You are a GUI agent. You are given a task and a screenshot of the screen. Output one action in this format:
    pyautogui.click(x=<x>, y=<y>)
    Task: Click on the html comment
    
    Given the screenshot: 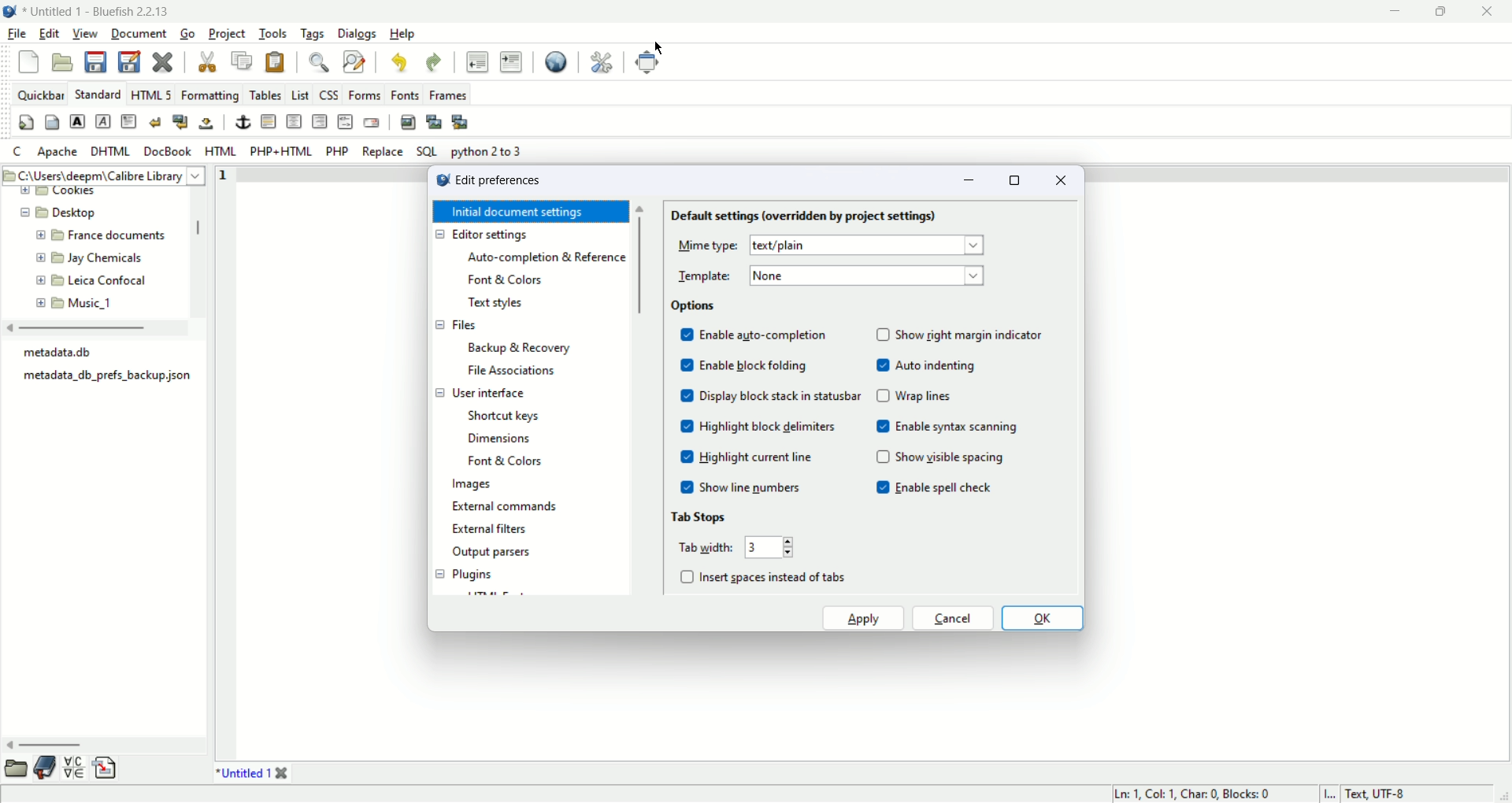 What is the action you would take?
    pyautogui.click(x=346, y=122)
    